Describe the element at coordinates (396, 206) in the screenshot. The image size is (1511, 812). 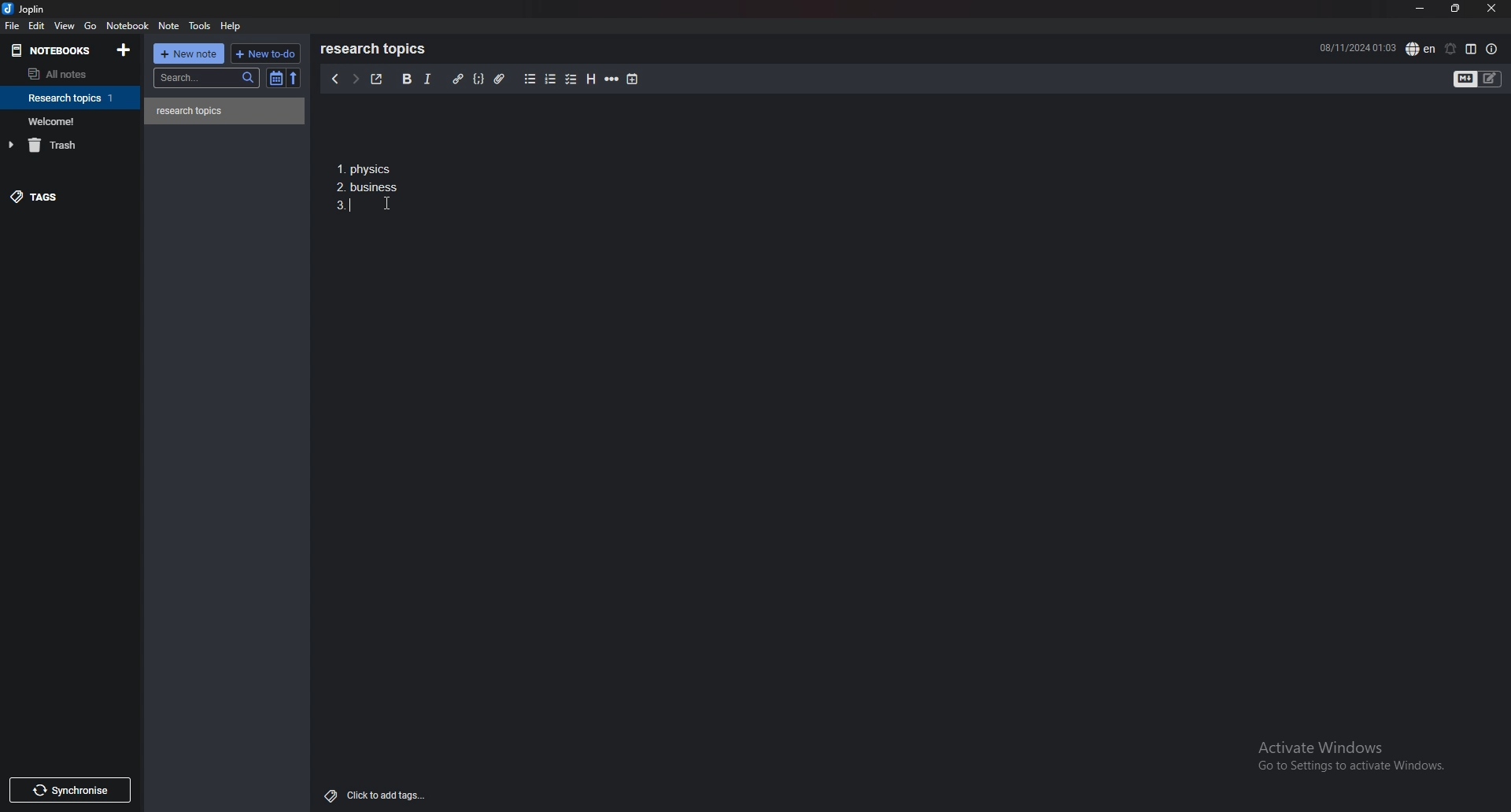
I see `cursor` at that location.